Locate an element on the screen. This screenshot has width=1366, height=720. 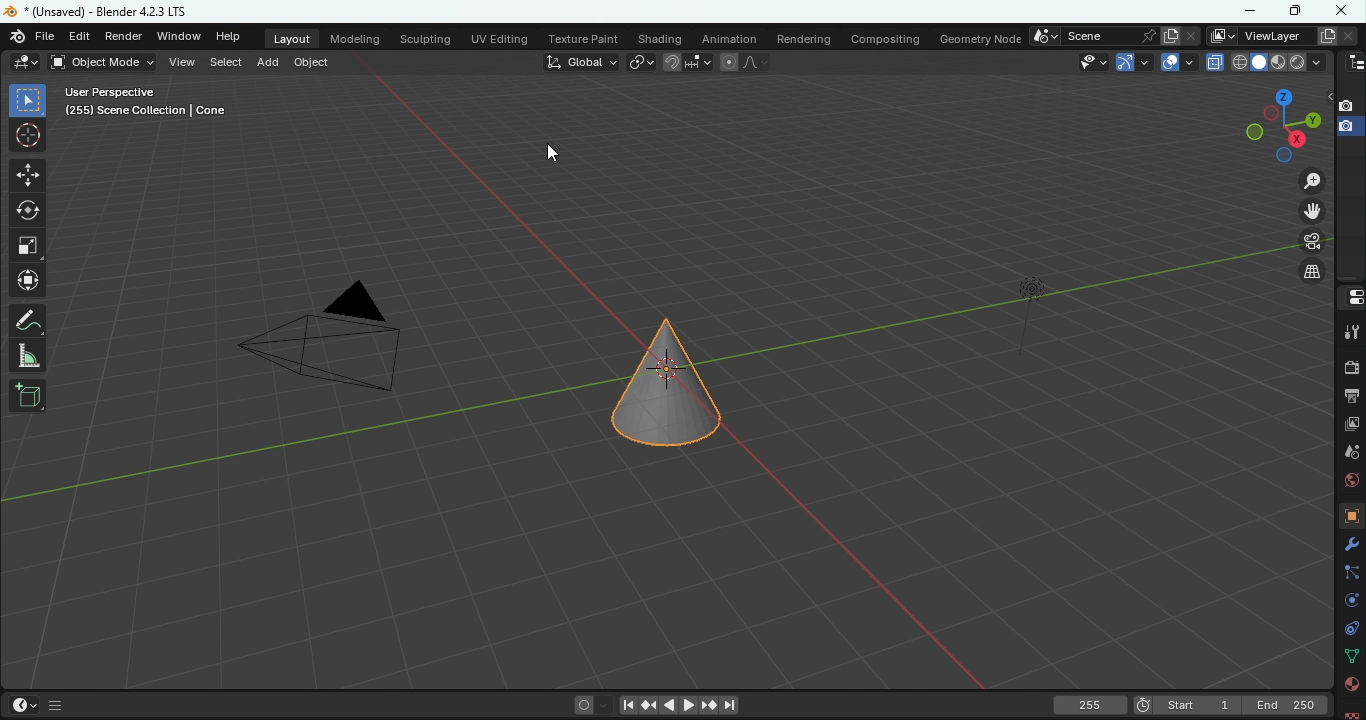
Shading is located at coordinates (660, 36).